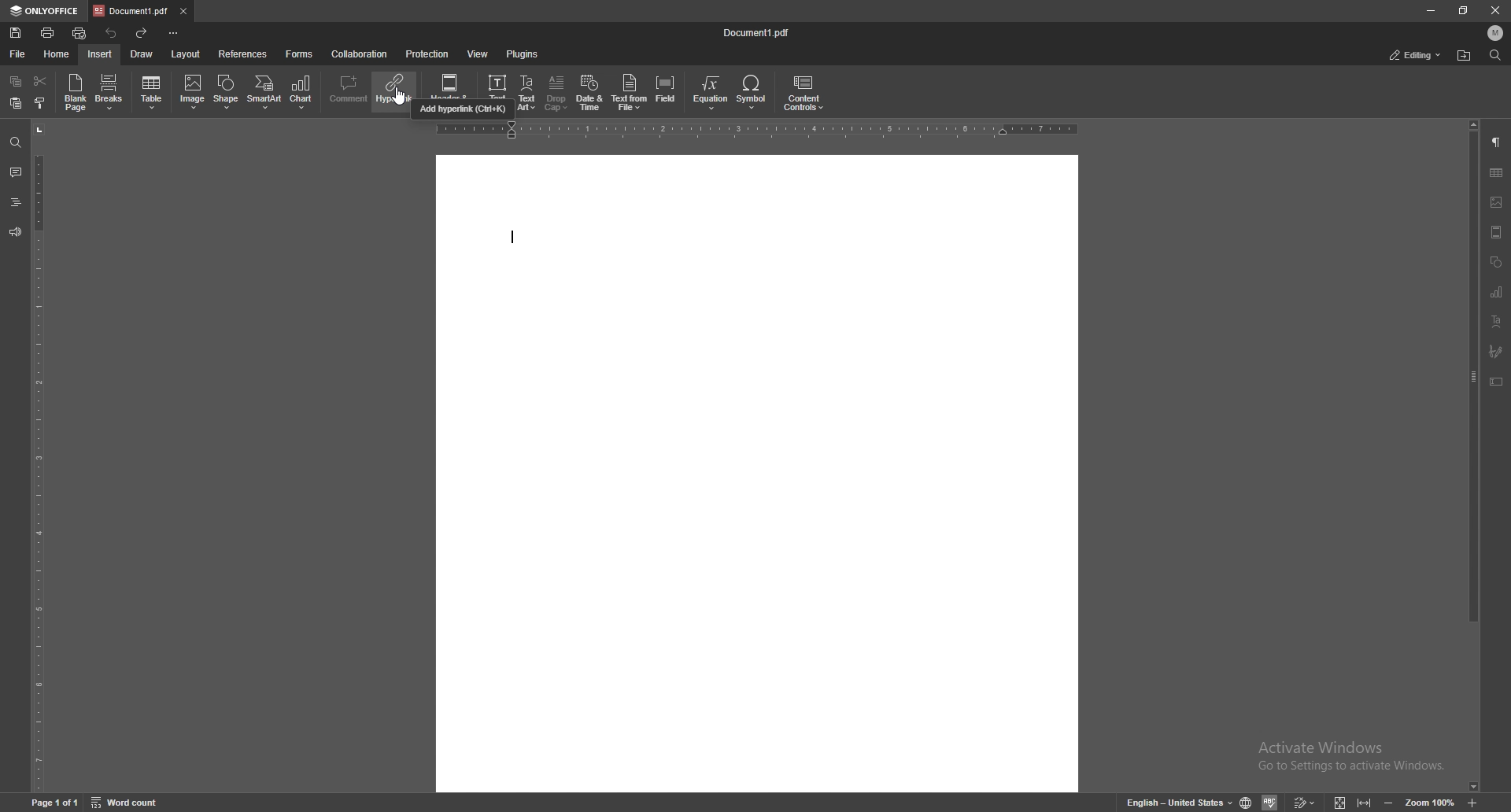  What do you see at coordinates (1495, 55) in the screenshot?
I see `find` at bounding box center [1495, 55].